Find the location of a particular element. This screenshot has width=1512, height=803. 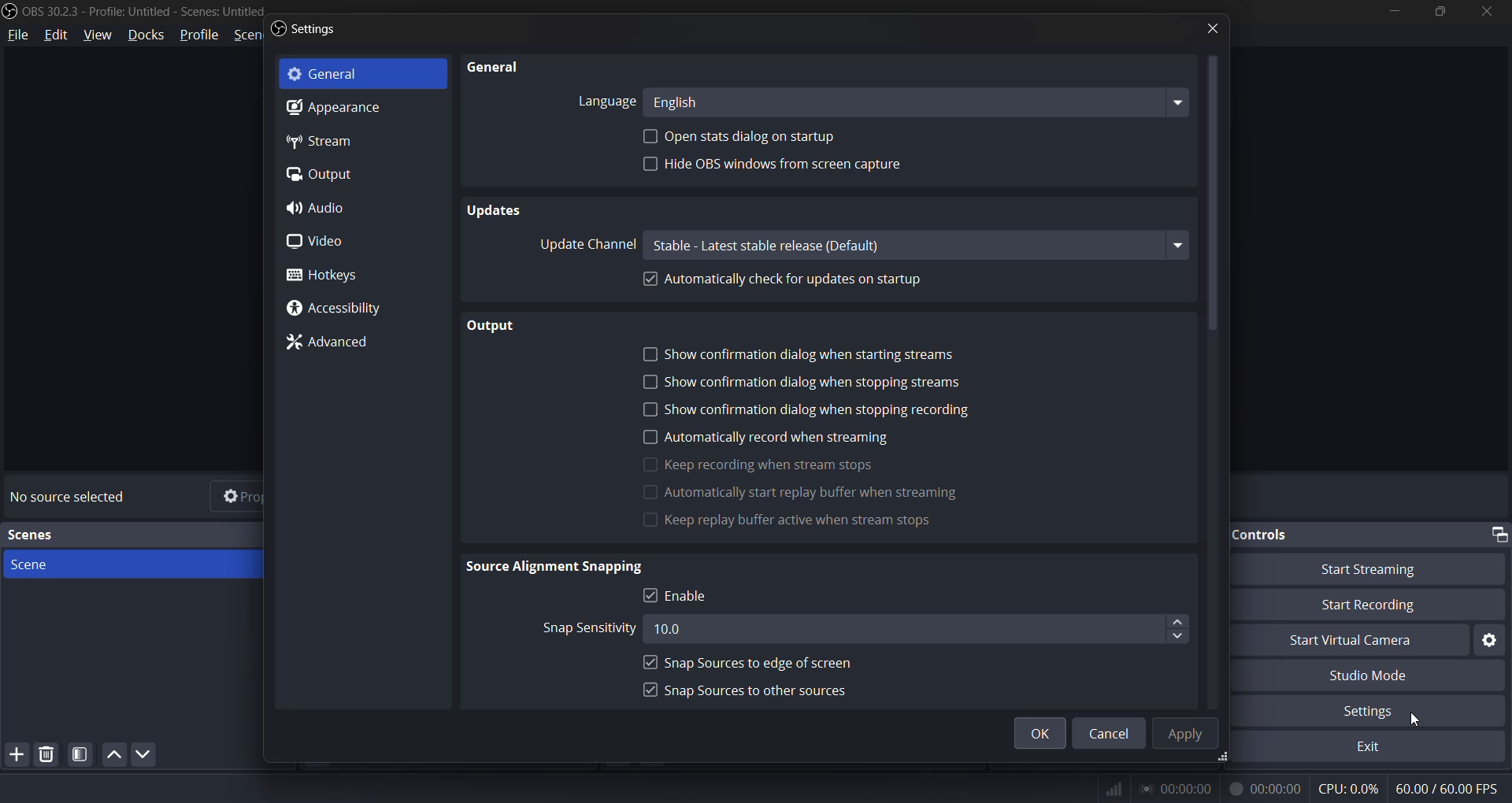

cpu: 0.1% is located at coordinates (1349, 790).